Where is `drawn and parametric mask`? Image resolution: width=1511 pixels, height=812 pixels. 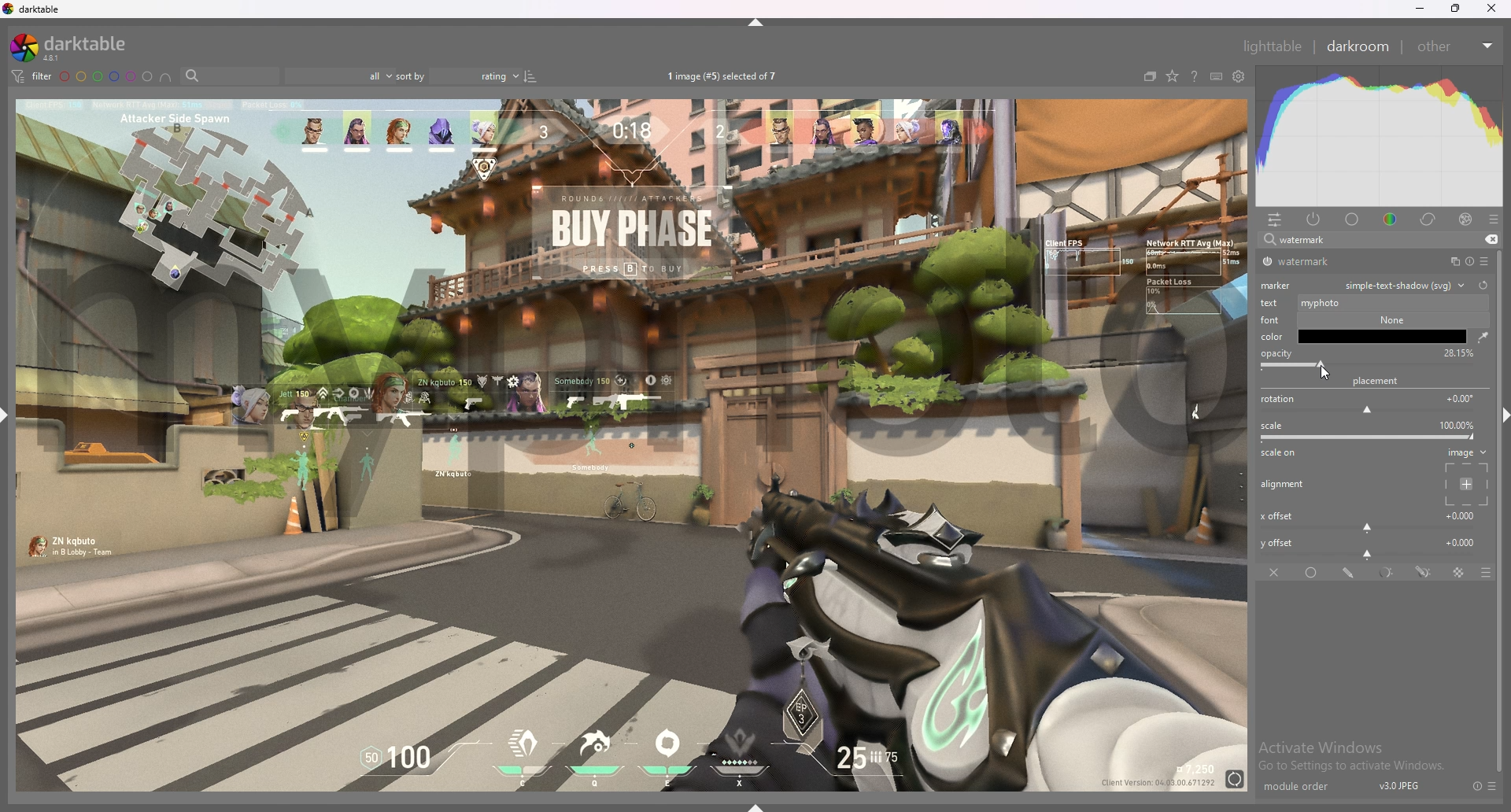 drawn and parametric mask is located at coordinates (1424, 571).